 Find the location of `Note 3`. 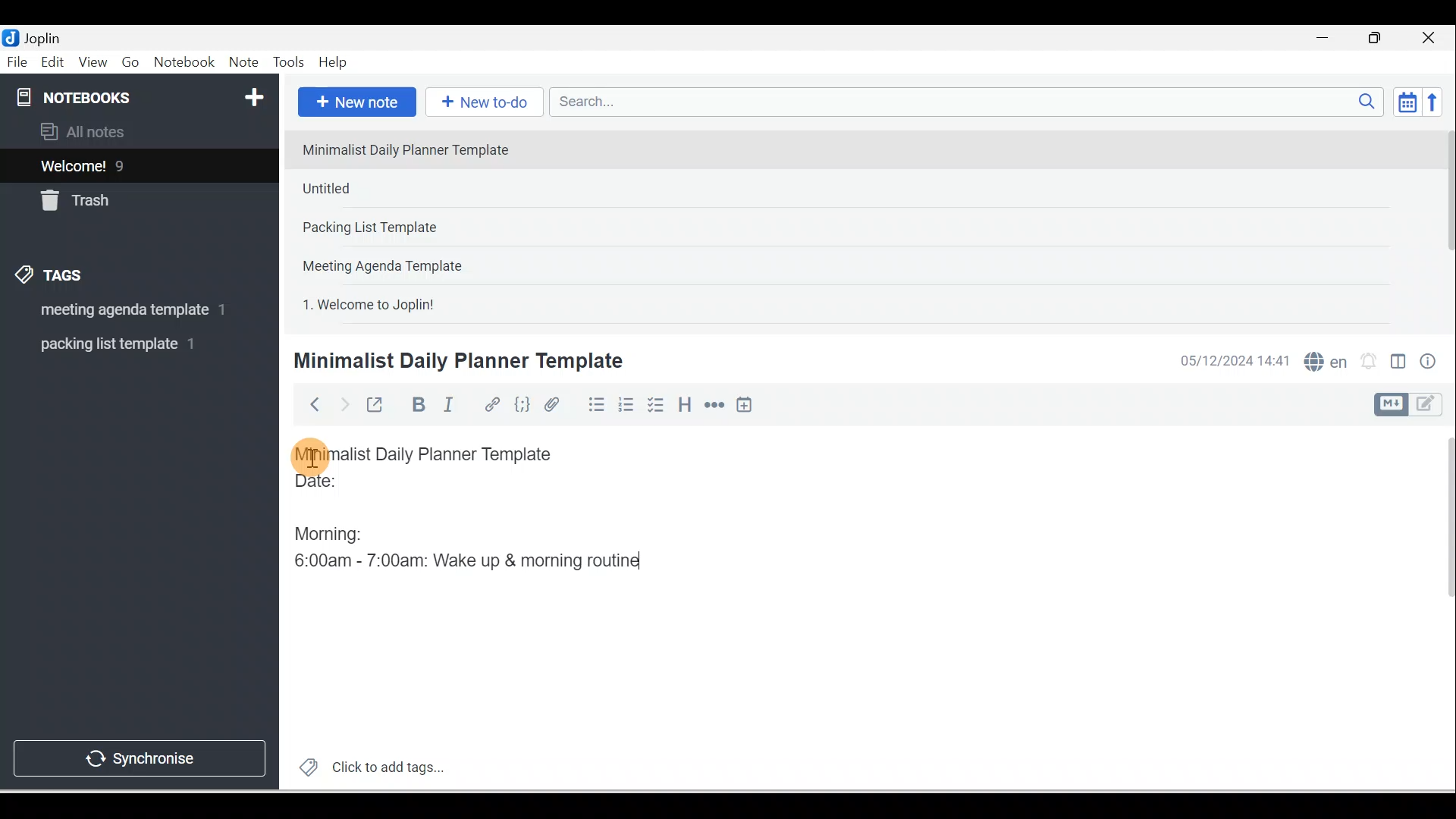

Note 3 is located at coordinates (418, 228).